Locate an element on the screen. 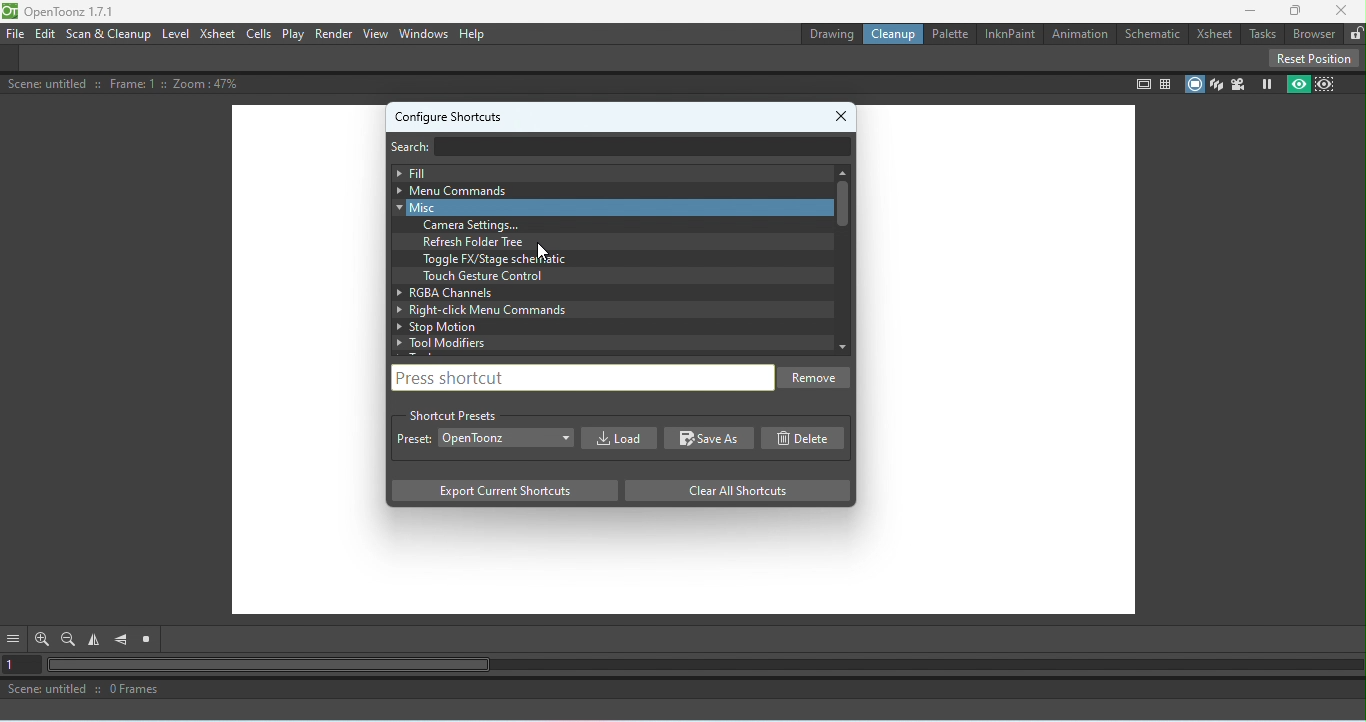 This screenshot has height=722, width=1366. 3D view is located at coordinates (1217, 84).